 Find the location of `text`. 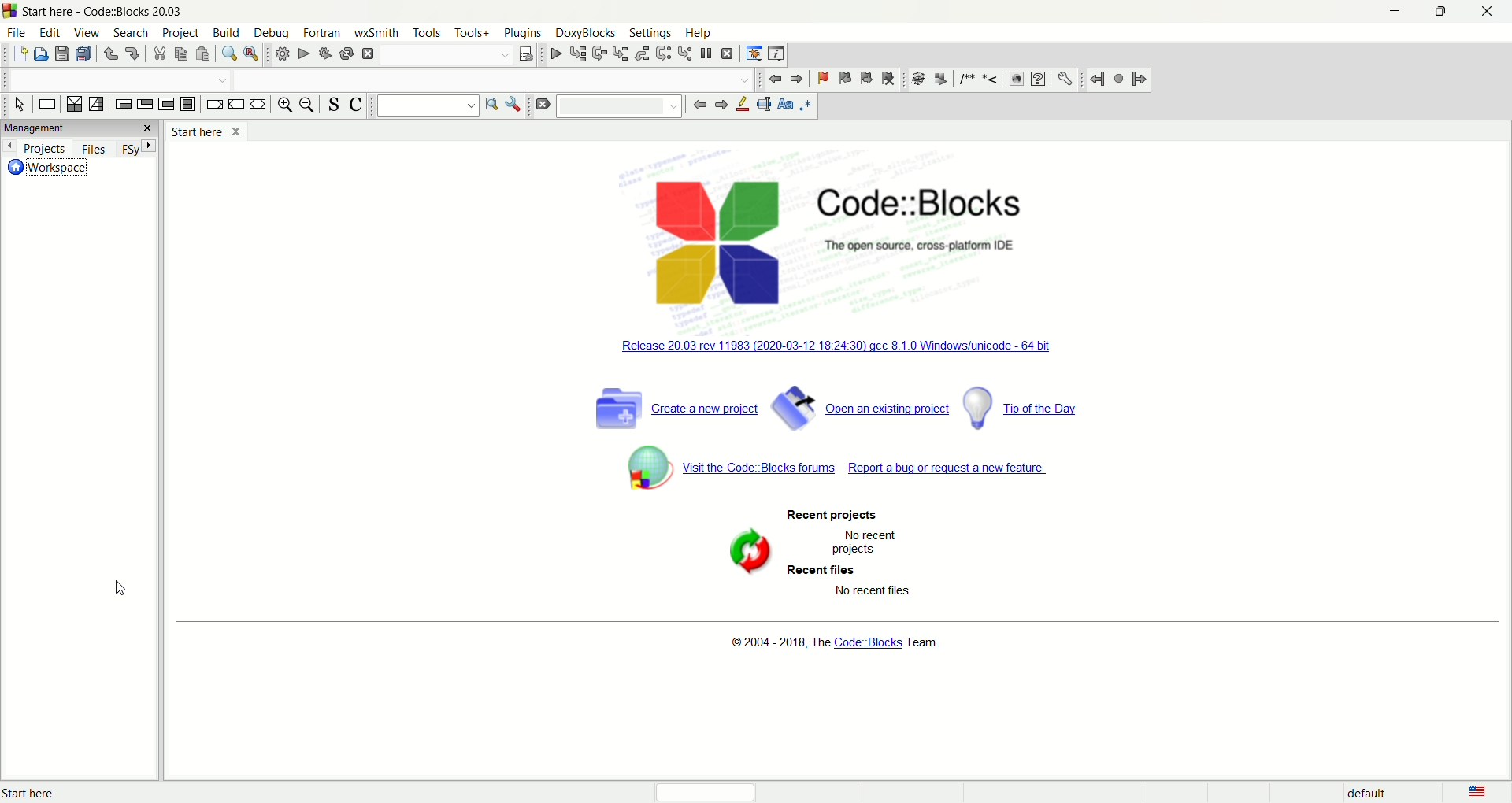

text is located at coordinates (875, 591).